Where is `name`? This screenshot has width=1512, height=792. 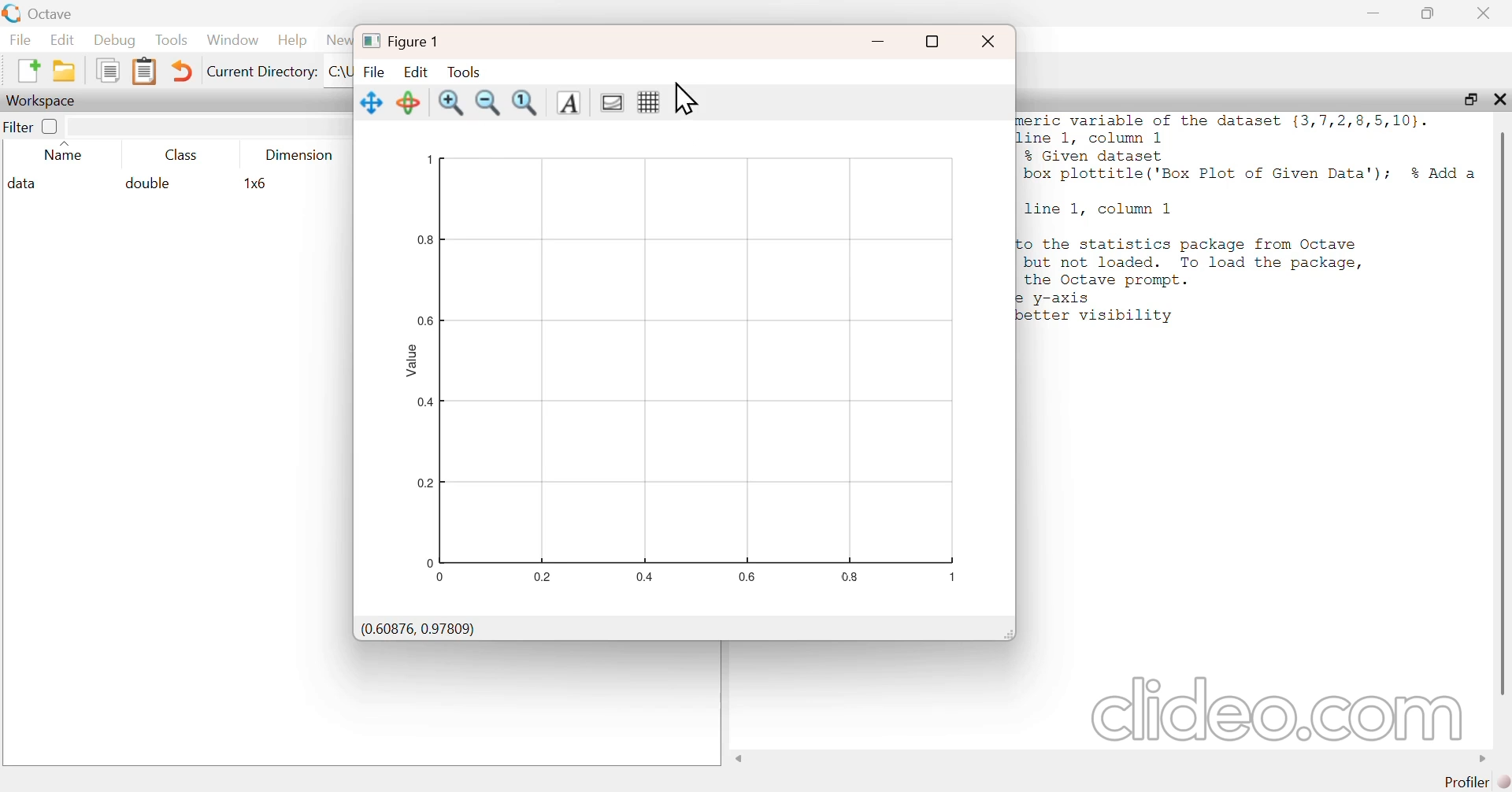
name is located at coordinates (60, 155).